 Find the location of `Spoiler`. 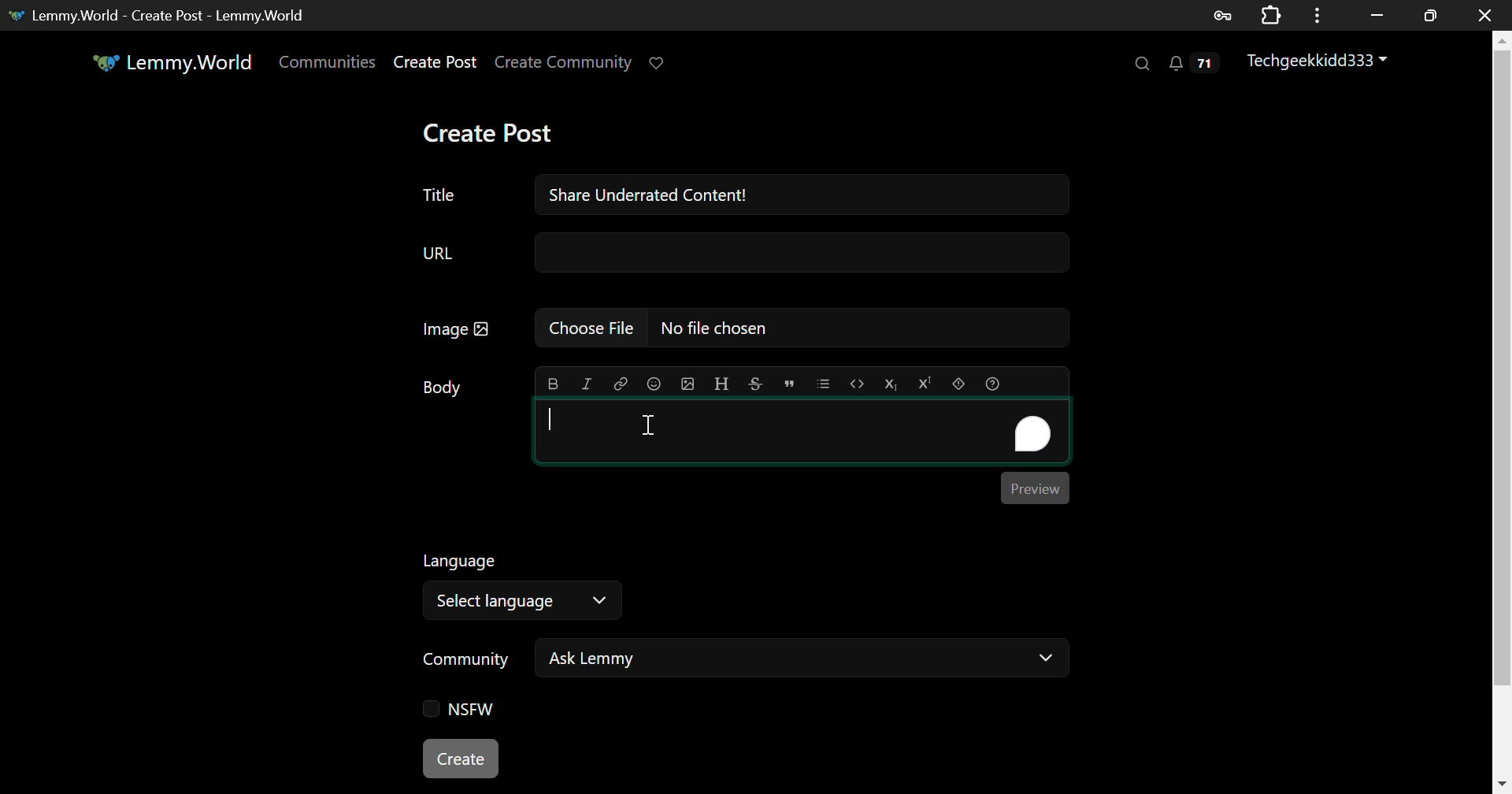

Spoiler is located at coordinates (959, 384).